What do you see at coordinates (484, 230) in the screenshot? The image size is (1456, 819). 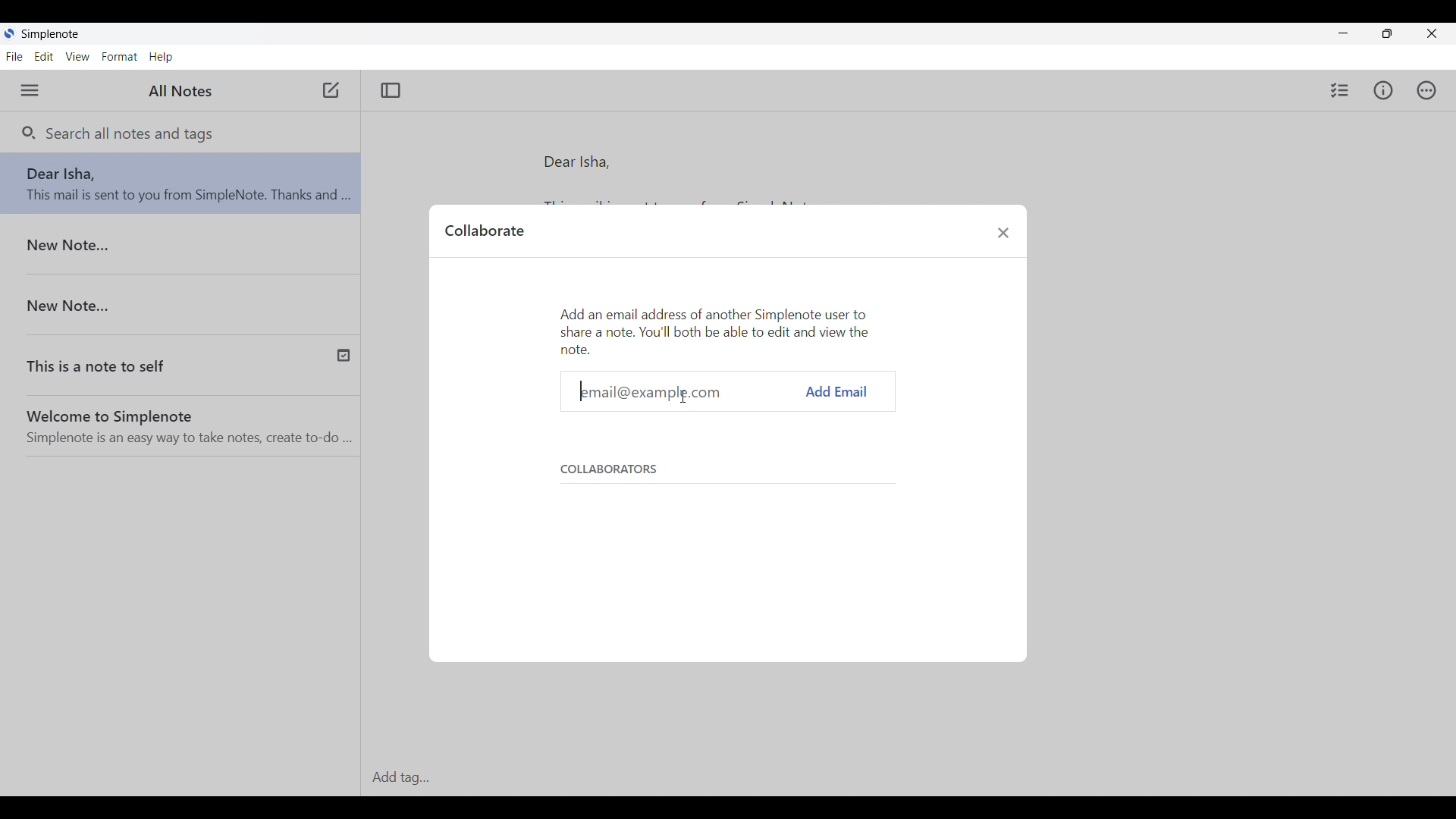 I see `Collaborate` at bounding box center [484, 230].